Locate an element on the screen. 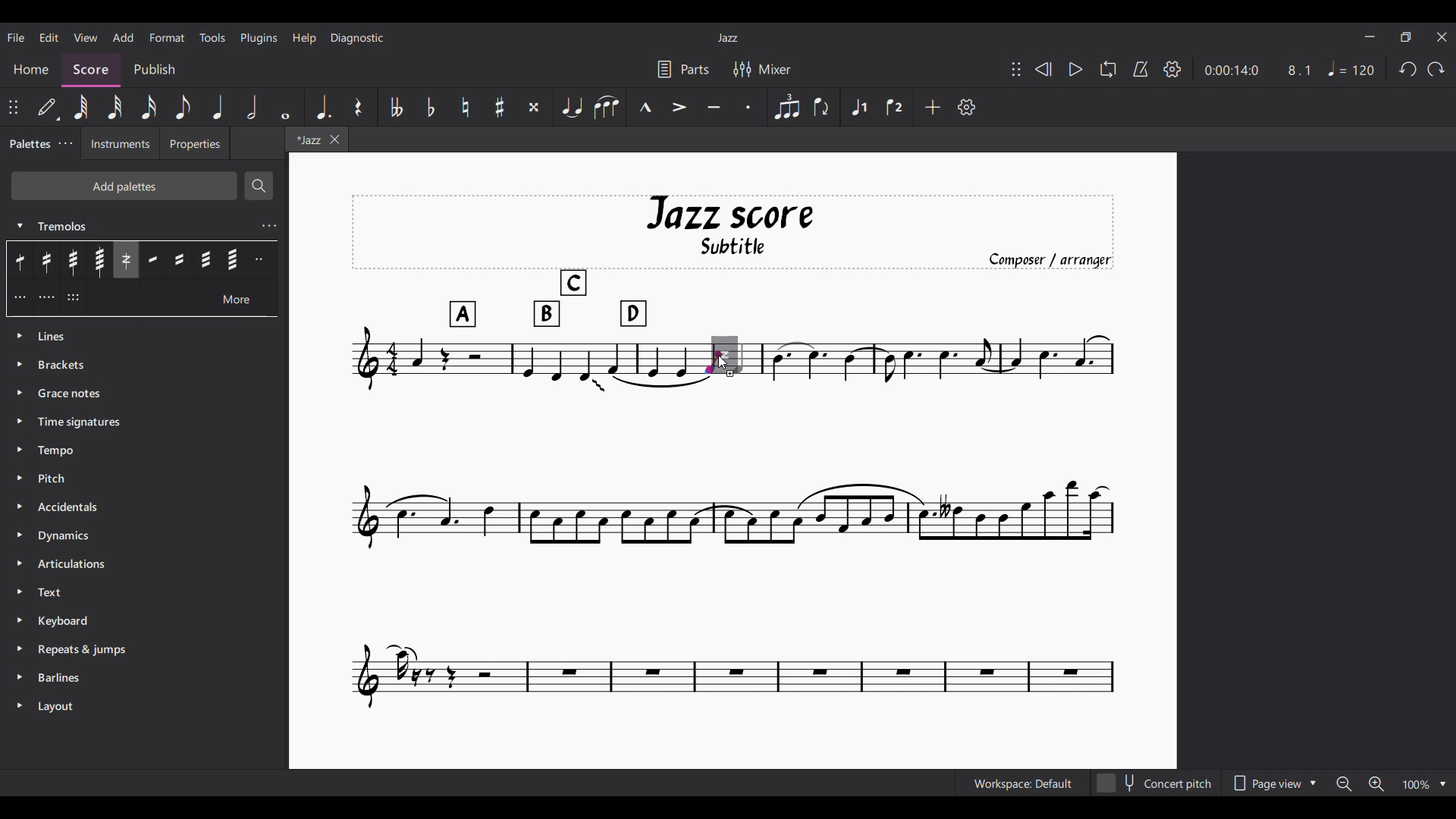  32nd note is located at coordinates (115, 108).